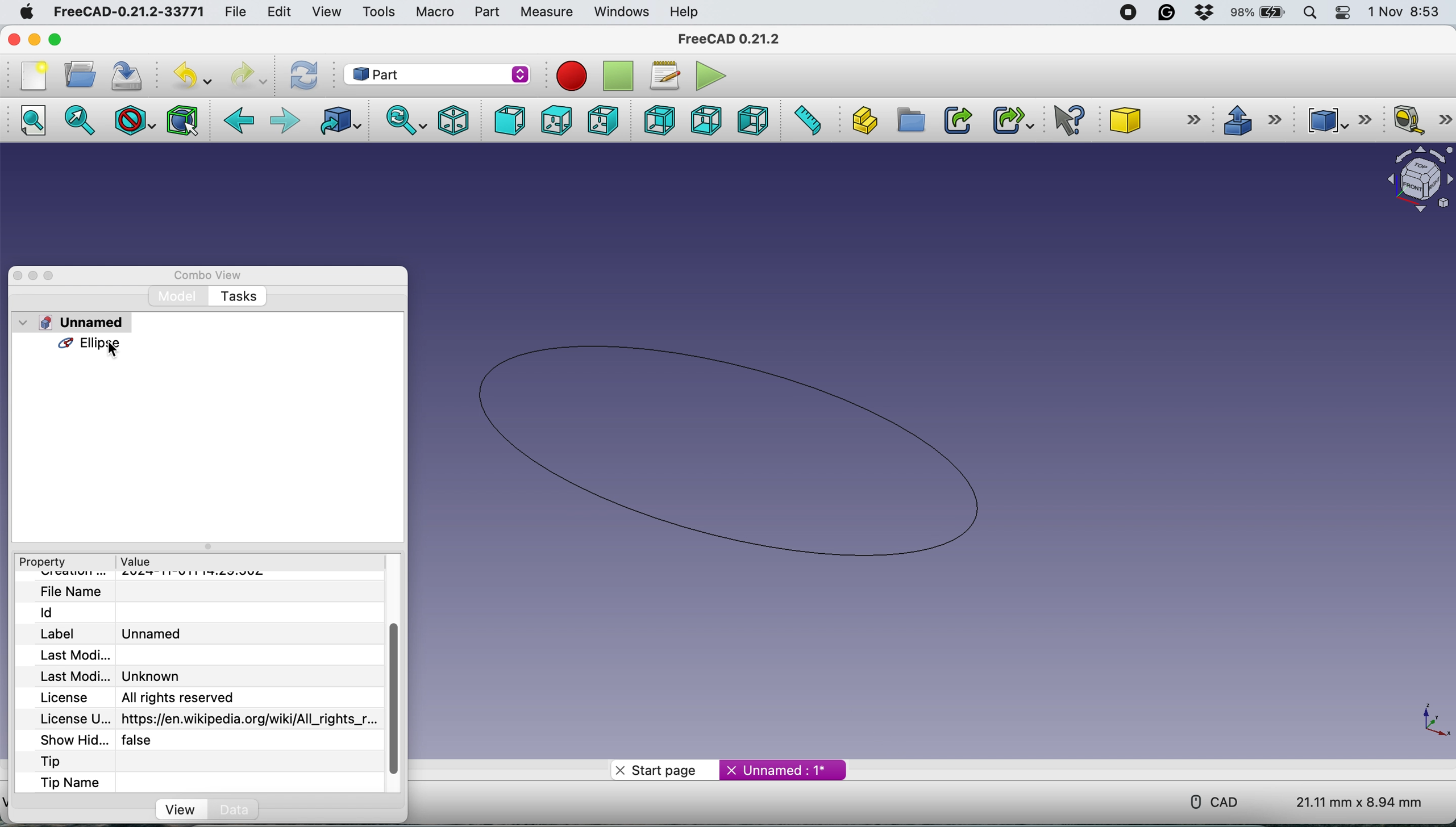 The width and height of the screenshot is (1456, 827). I want to click on file name, so click(75, 592).